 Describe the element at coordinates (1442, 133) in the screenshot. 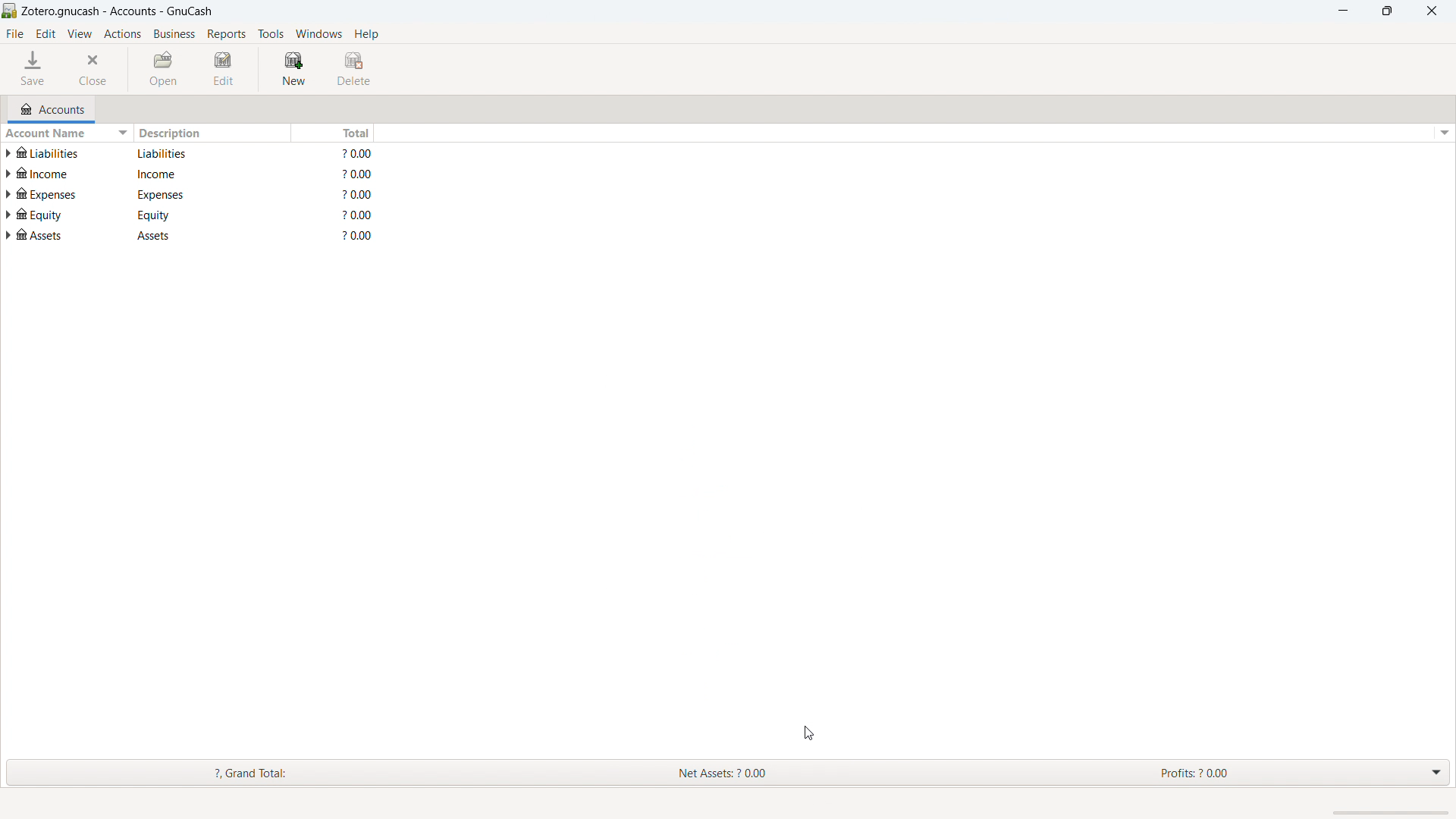

I see `options` at that location.